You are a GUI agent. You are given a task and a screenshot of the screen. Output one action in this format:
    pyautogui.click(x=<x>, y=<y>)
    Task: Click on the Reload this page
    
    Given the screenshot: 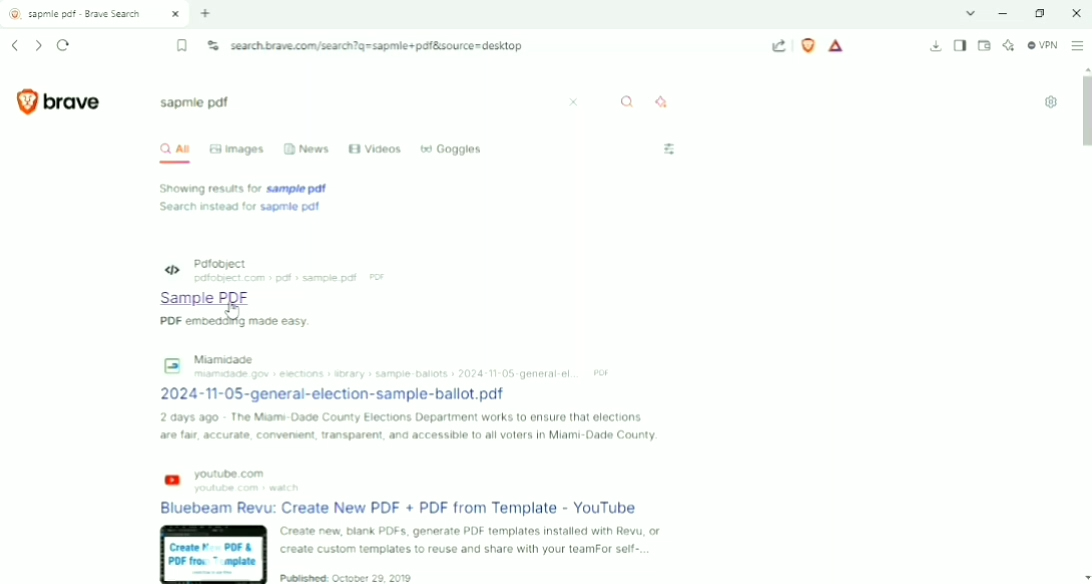 What is the action you would take?
    pyautogui.click(x=64, y=45)
    